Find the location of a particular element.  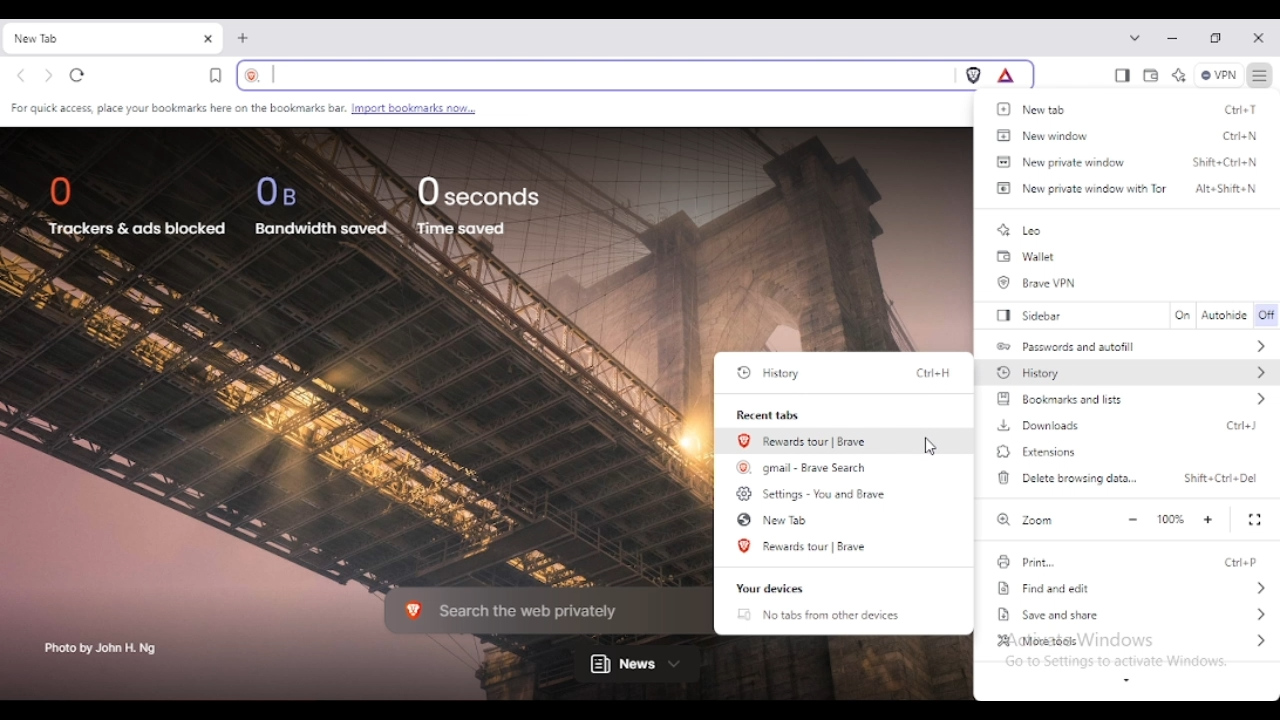

new window is located at coordinates (1041, 135).